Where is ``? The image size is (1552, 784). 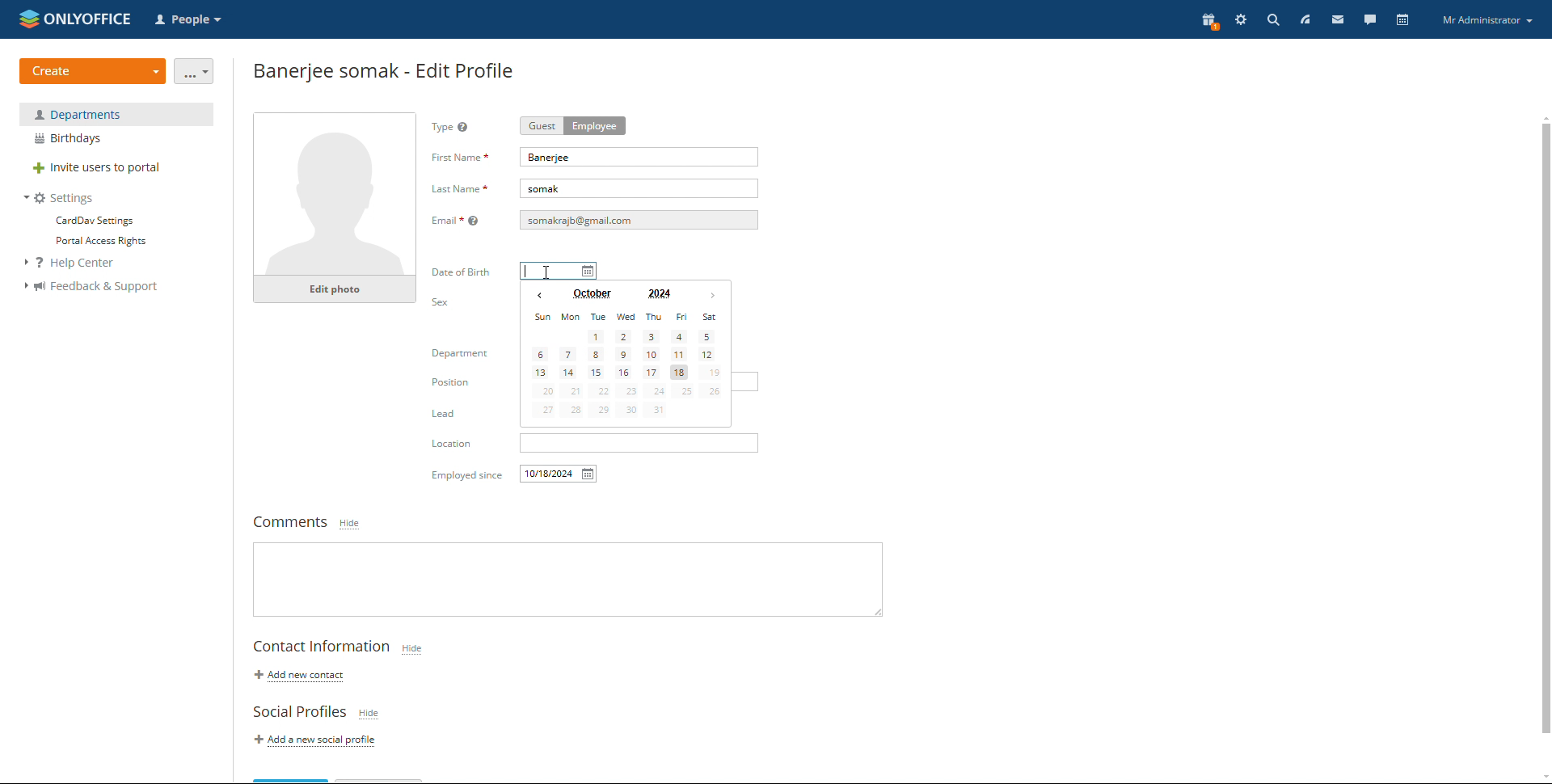  is located at coordinates (1854, 103).